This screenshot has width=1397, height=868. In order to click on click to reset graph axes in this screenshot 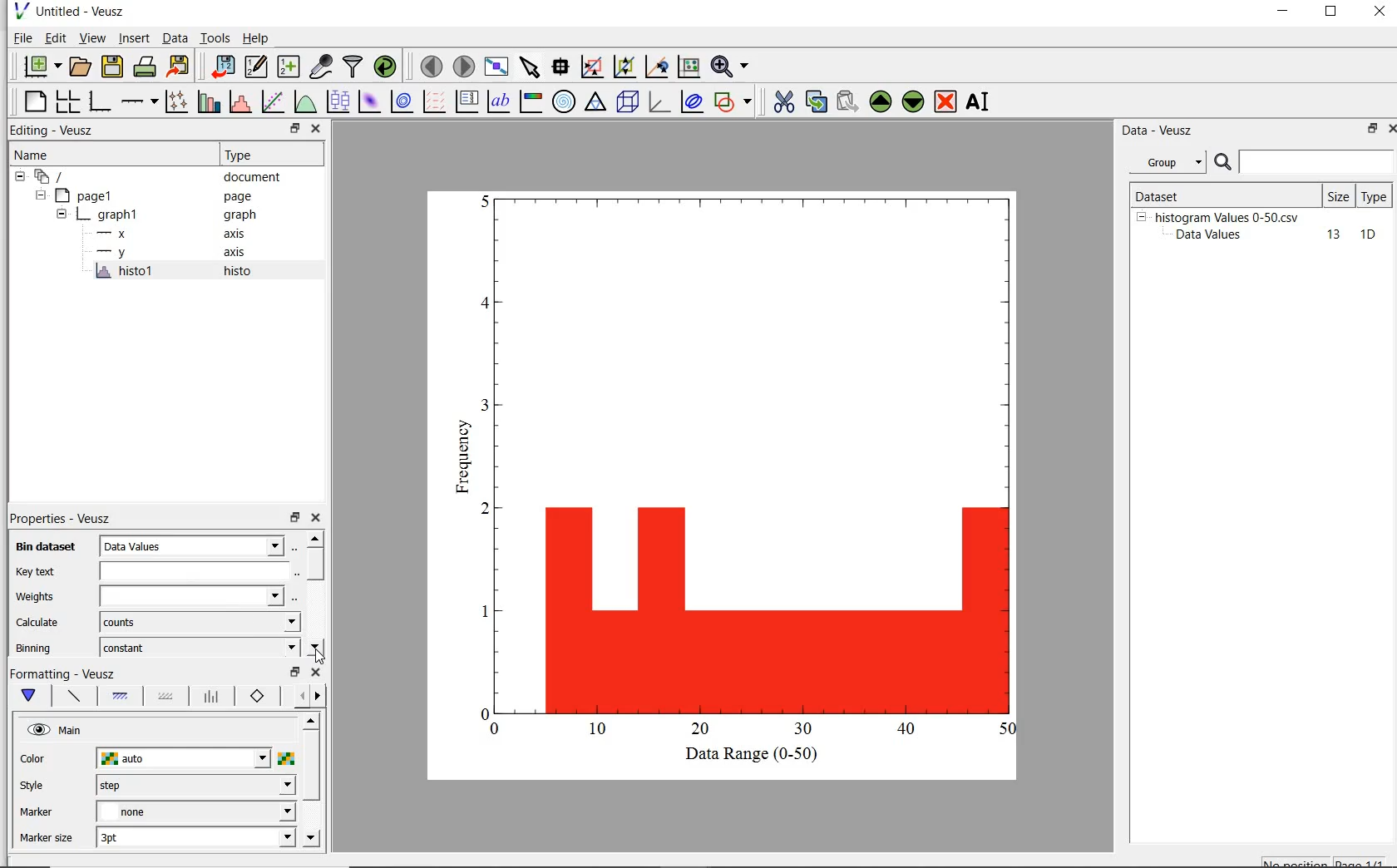, I will do `click(591, 67)`.